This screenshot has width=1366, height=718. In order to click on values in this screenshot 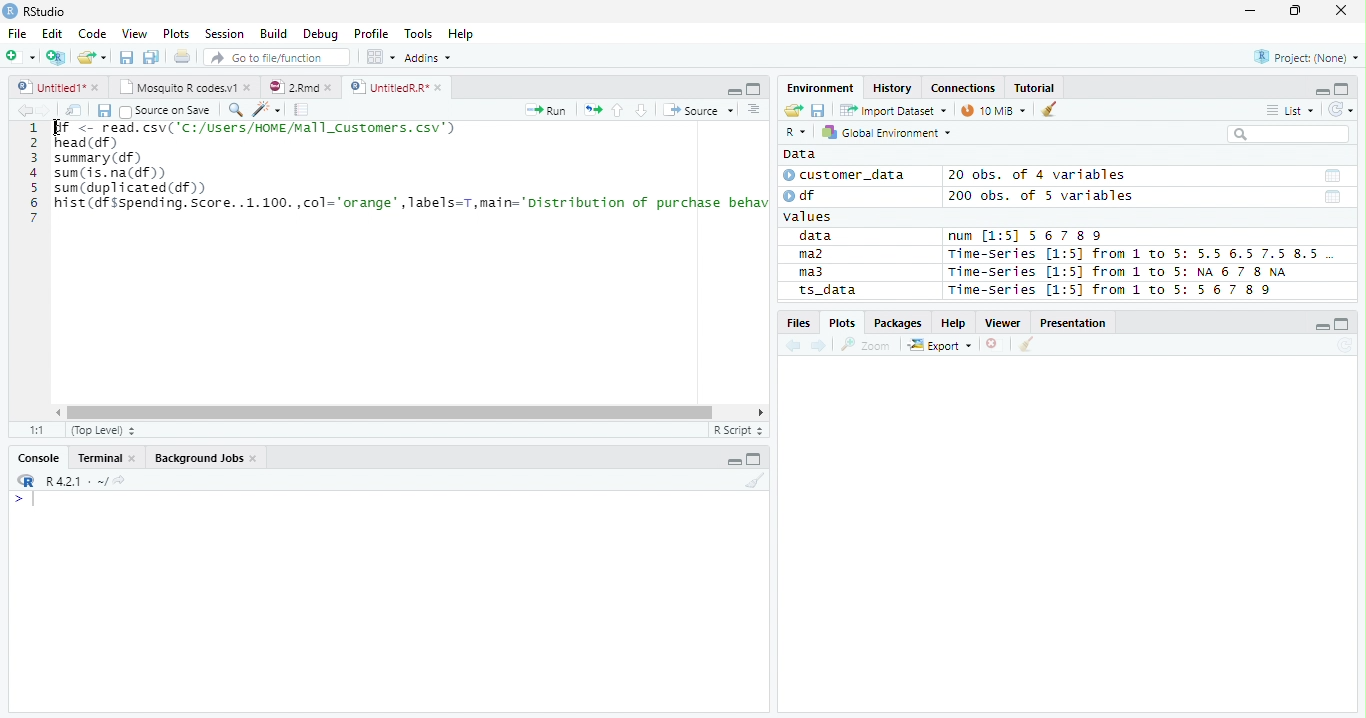, I will do `click(810, 217)`.